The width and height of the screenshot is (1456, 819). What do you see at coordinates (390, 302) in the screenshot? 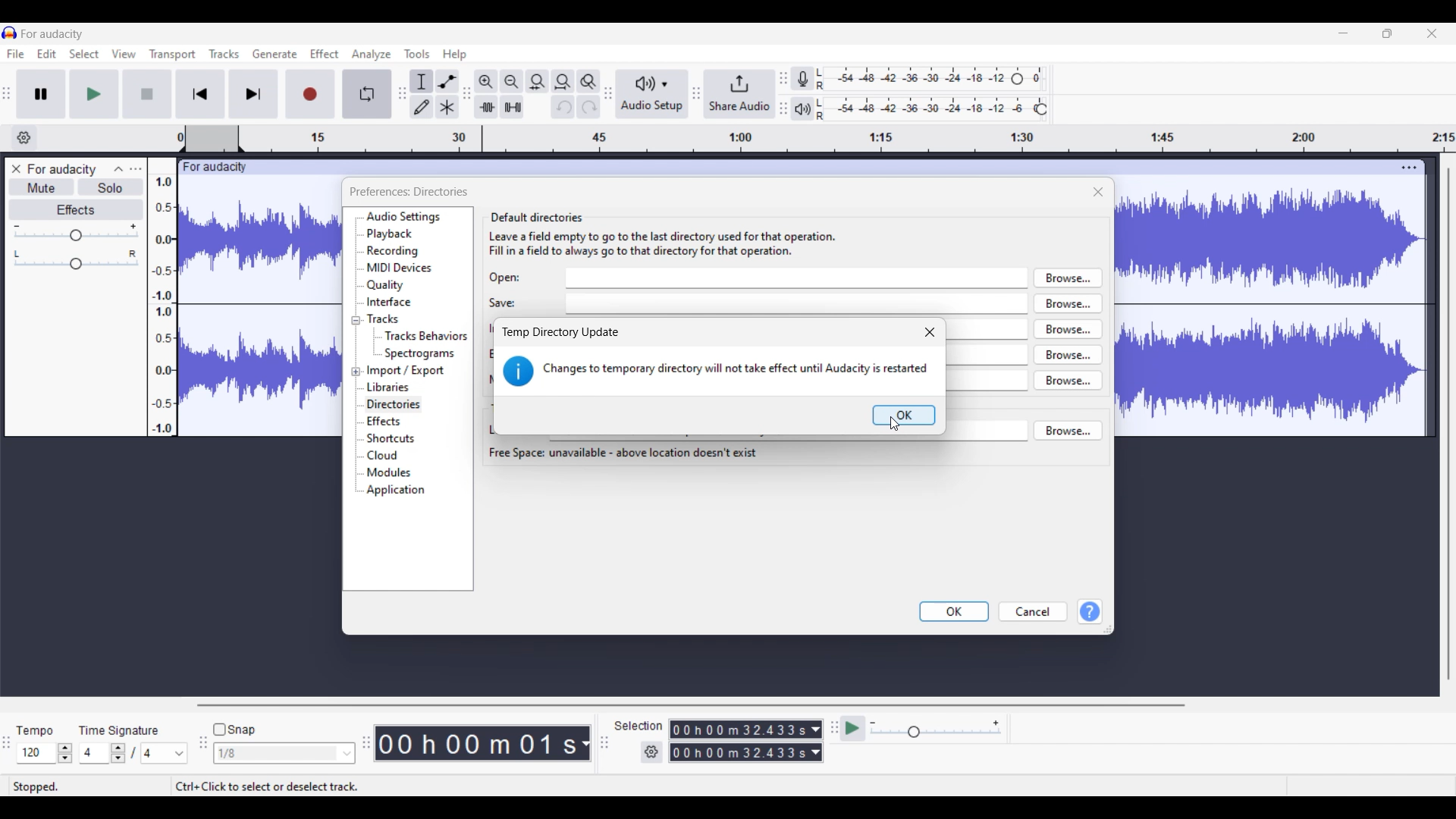
I see `Interface` at bounding box center [390, 302].